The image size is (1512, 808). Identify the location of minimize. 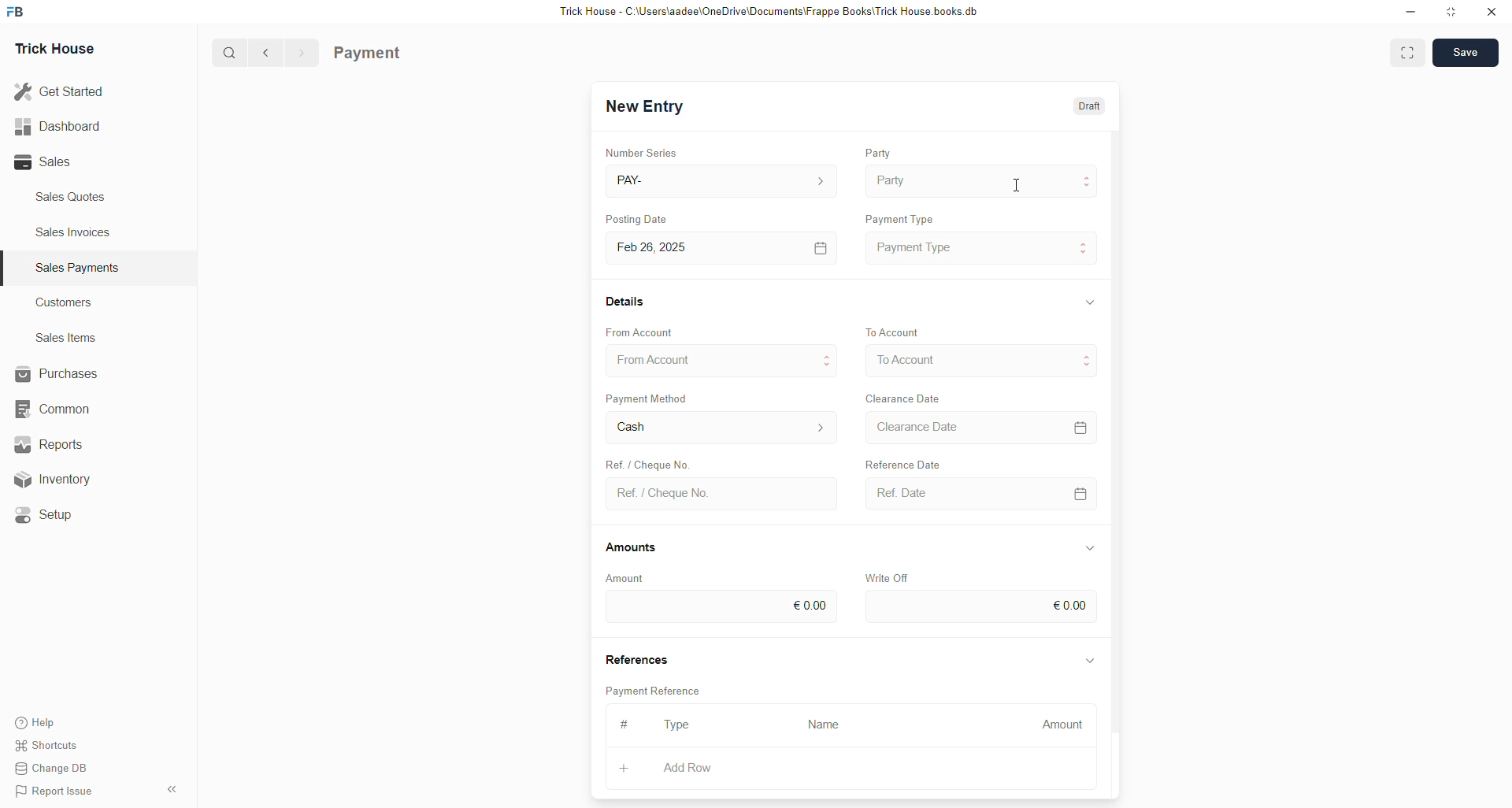
(1411, 13).